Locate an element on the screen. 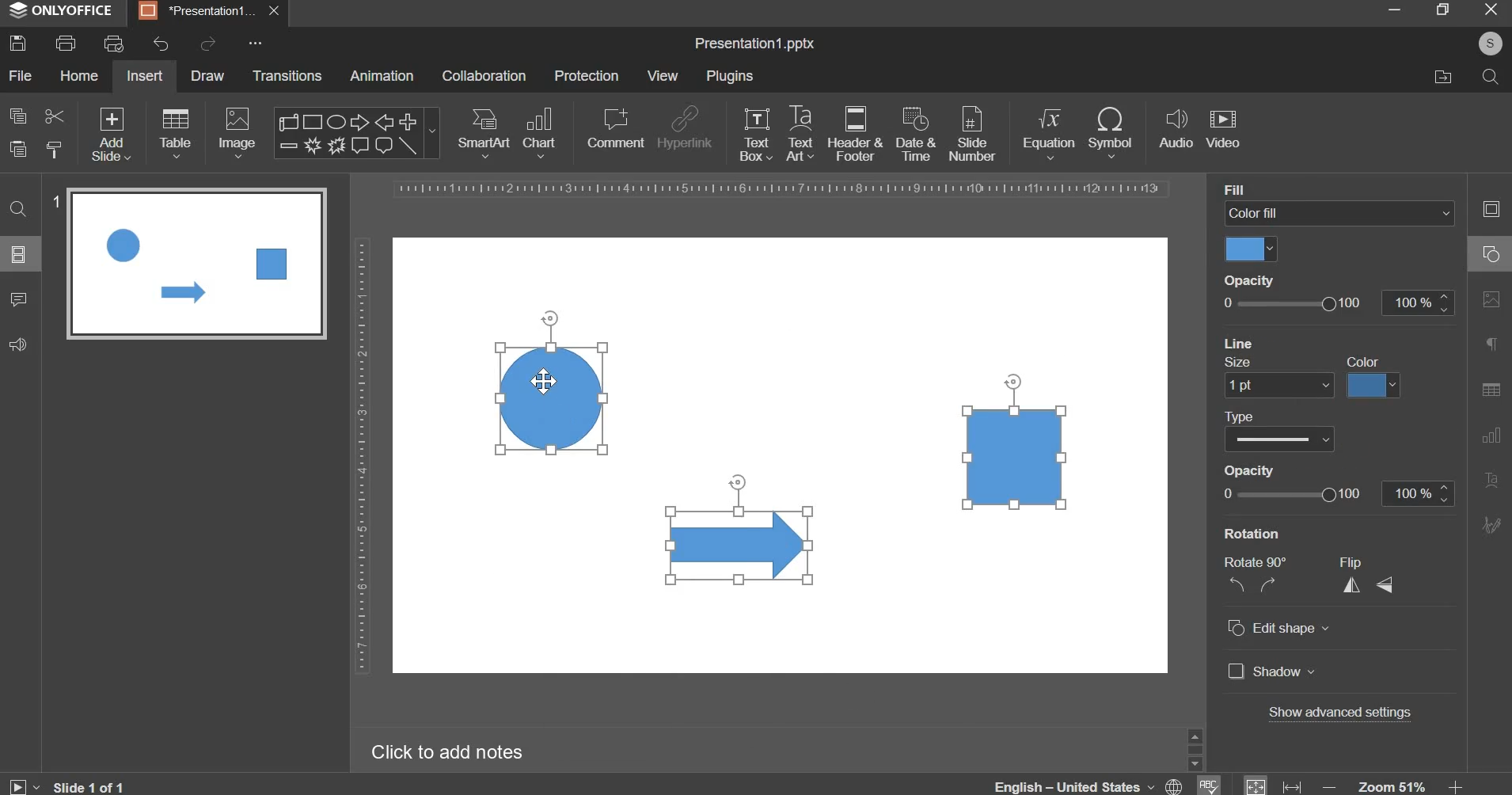  draw is located at coordinates (209, 74).